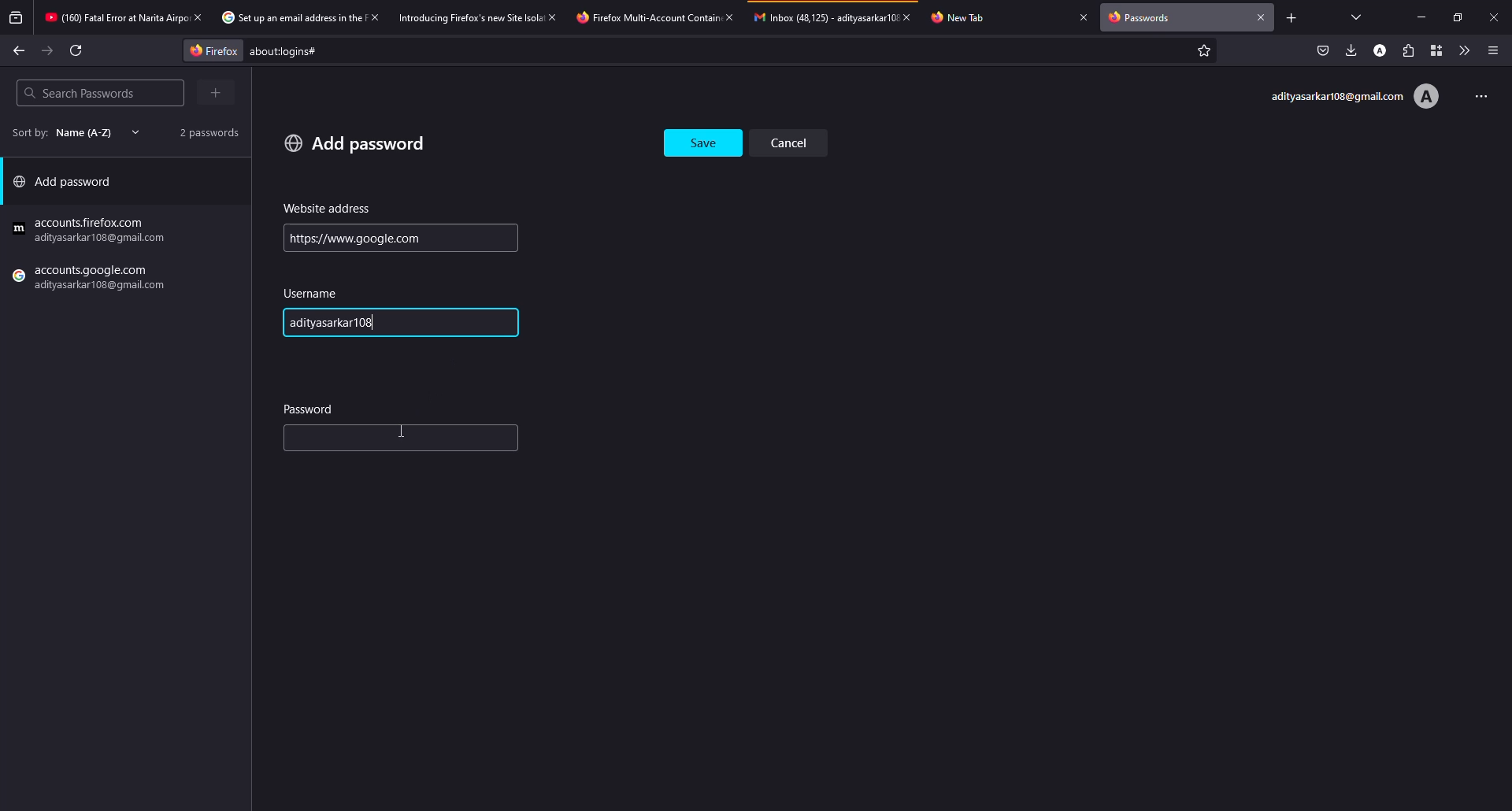  What do you see at coordinates (1432, 50) in the screenshot?
I see `container` at bounding box center [1432, 50].